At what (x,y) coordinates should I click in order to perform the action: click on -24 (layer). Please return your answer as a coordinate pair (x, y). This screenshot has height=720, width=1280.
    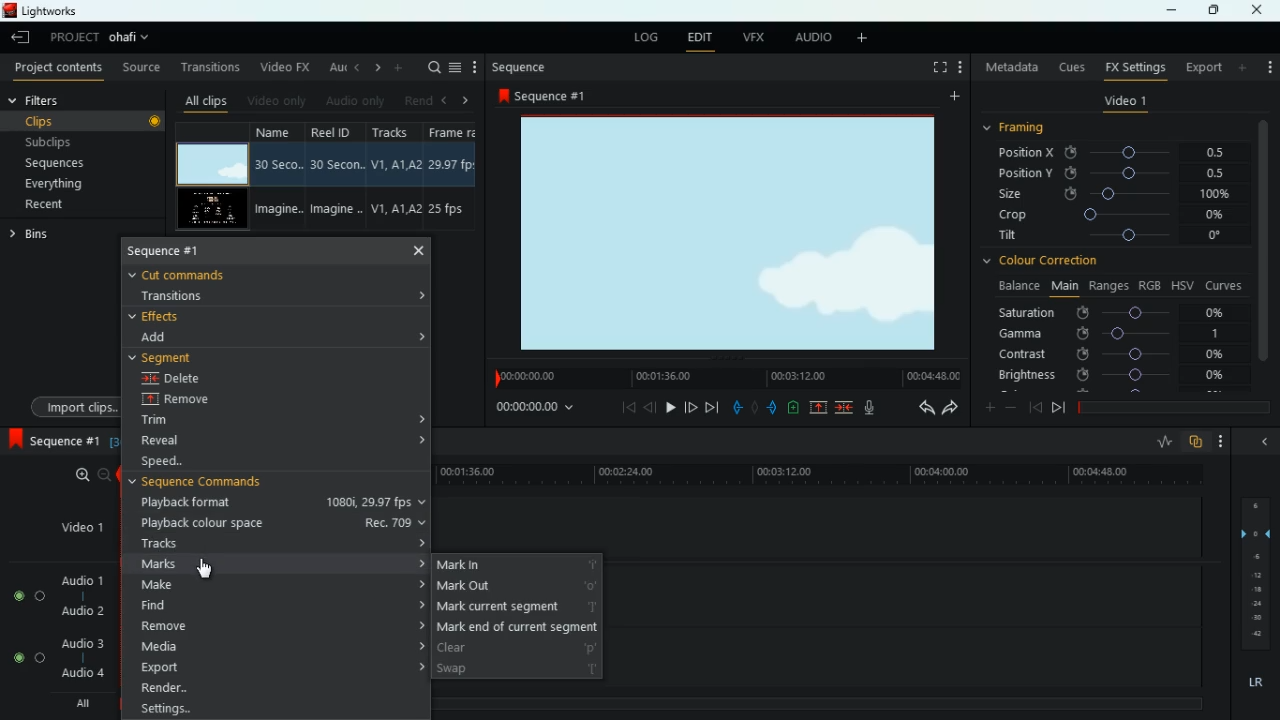
    Looking at the image, I should click on (1252, 604).